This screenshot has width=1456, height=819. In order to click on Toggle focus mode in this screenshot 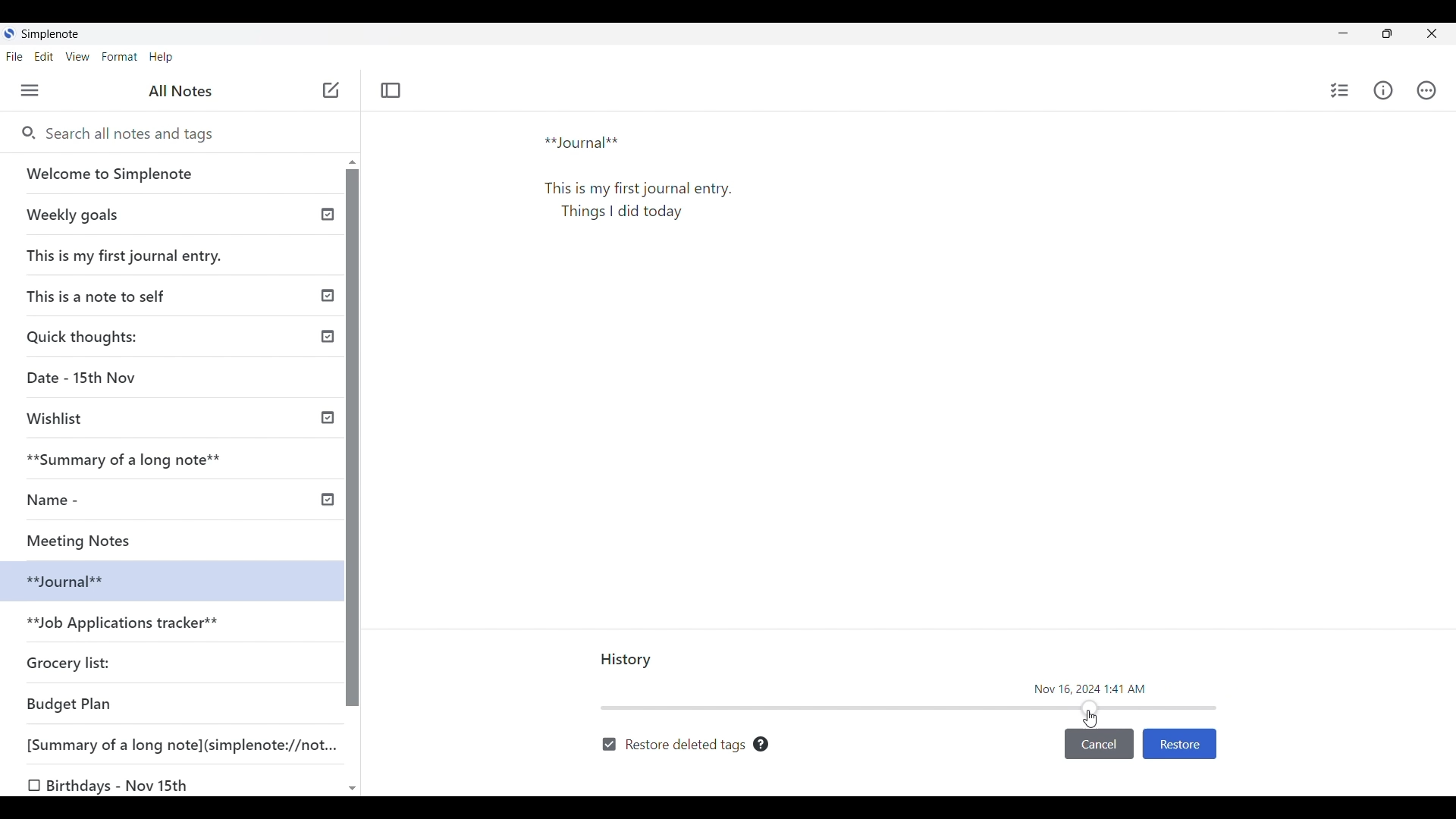, I will do `click(391, 90)`.